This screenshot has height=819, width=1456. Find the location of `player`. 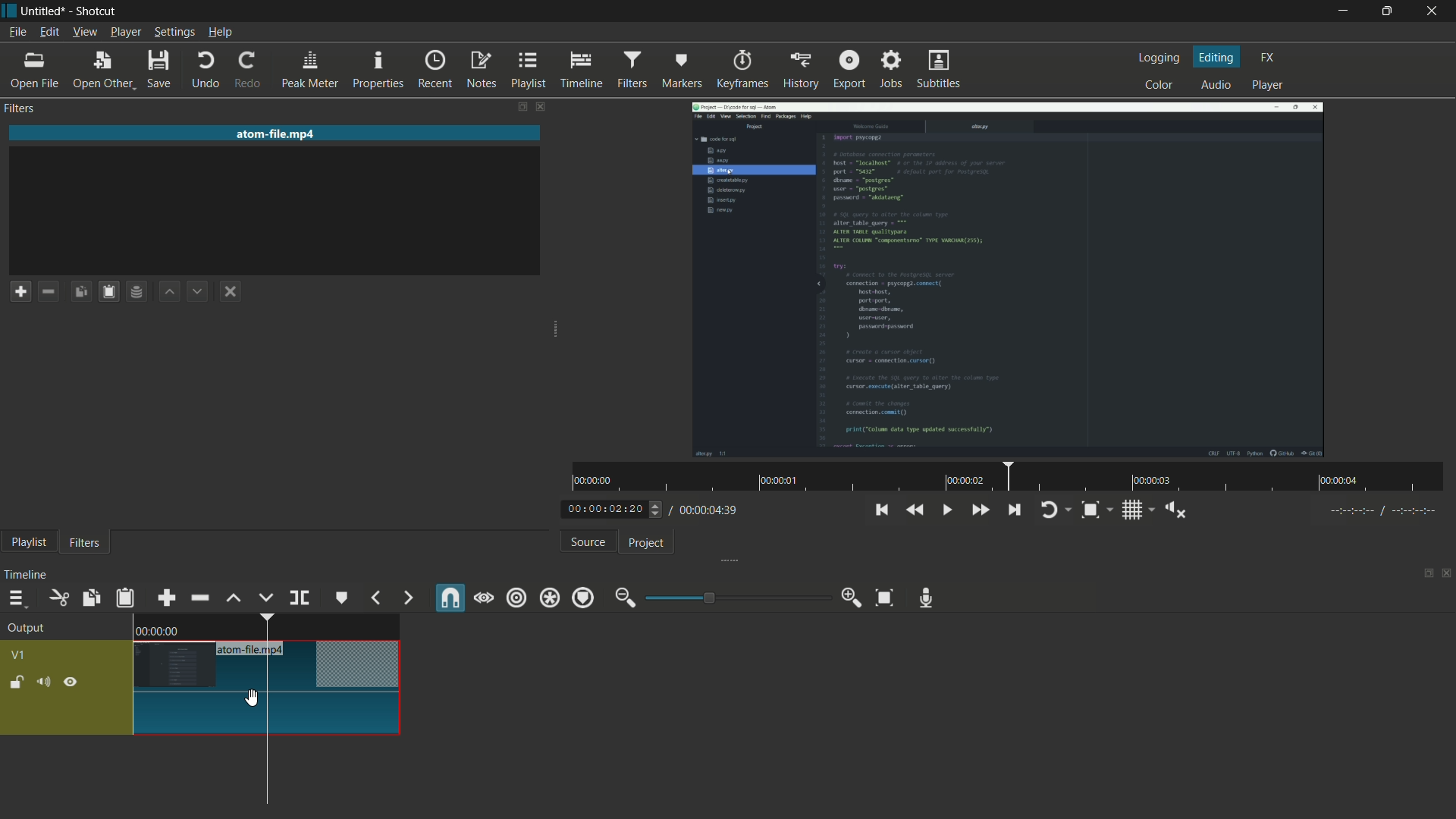

player is located at coordinates (1272, 86).